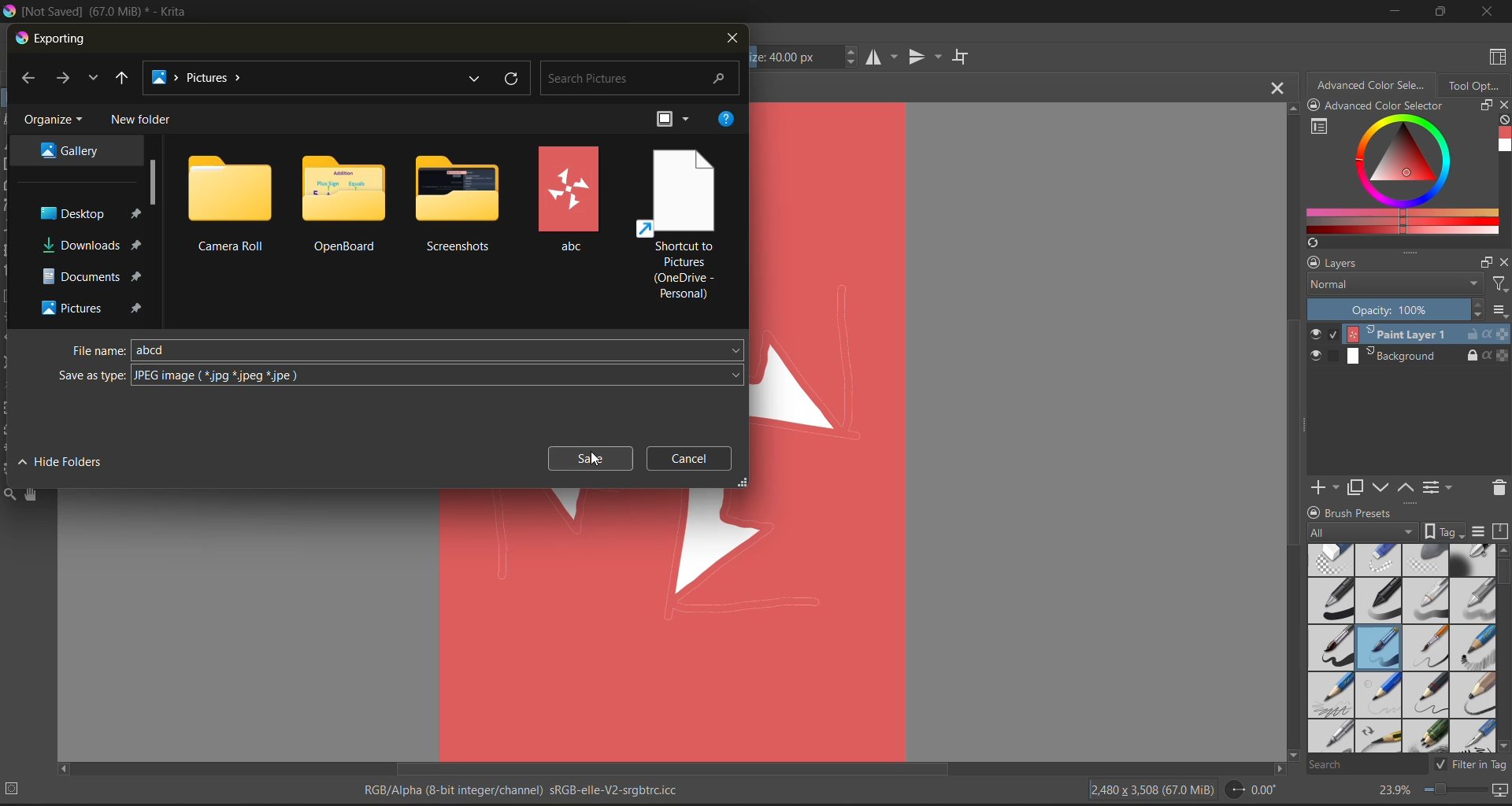  What do you see at coordinates (726, 120) in the screenshot?
I see `help` at bounding box center [726, 120].